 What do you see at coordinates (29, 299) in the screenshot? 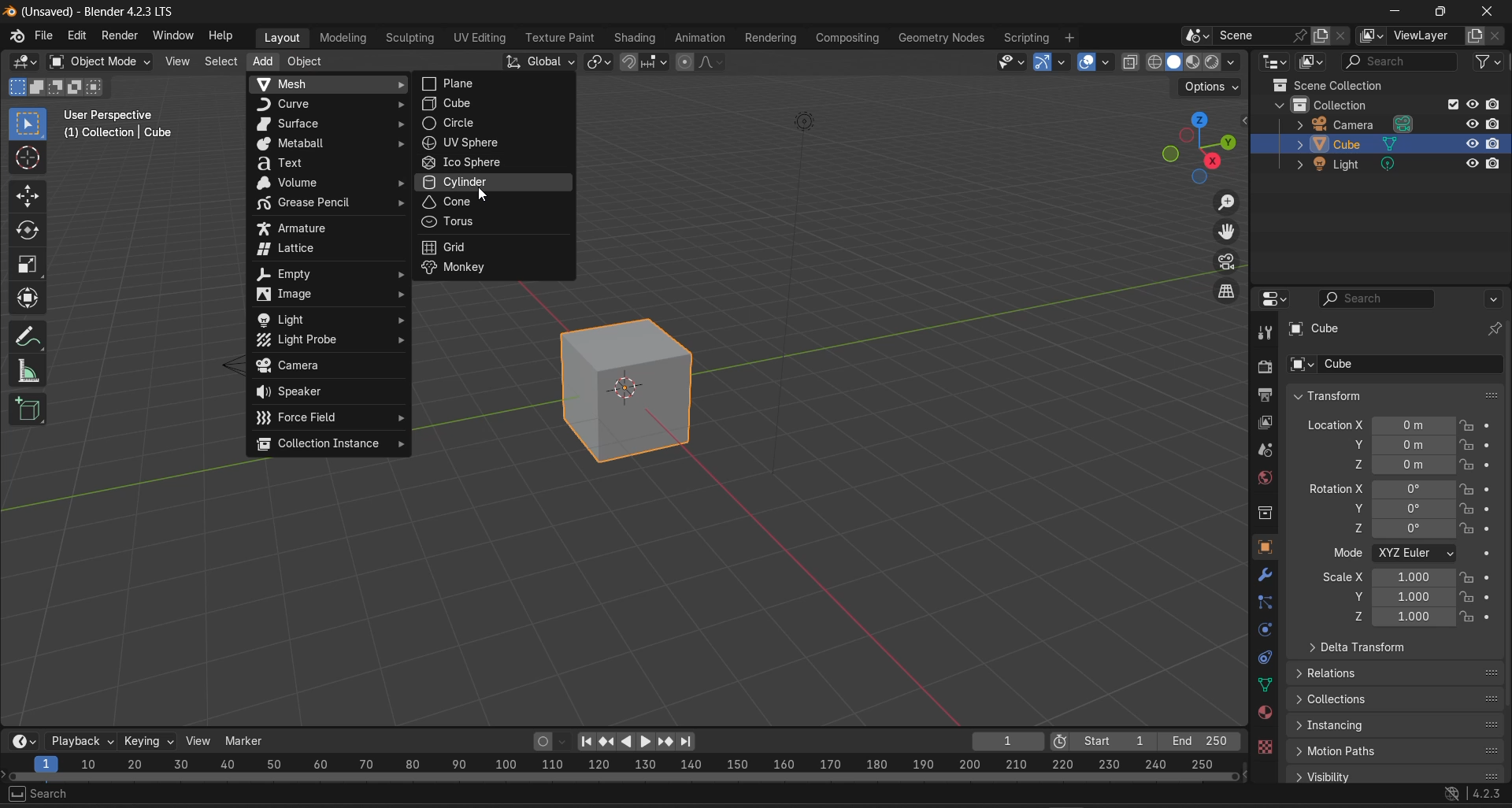
I see `transform` at bounding box center [29, 299].